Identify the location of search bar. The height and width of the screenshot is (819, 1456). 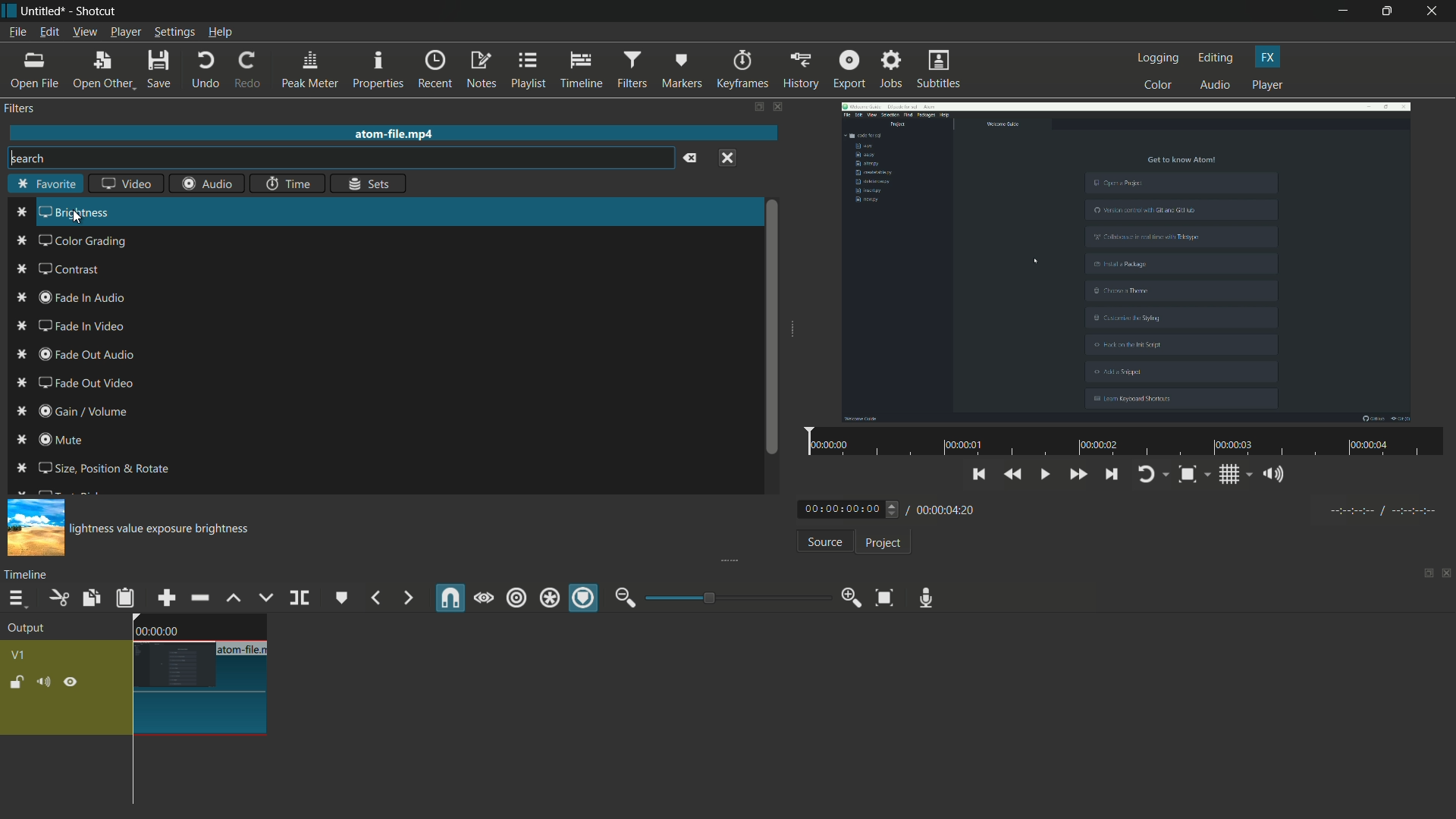
(338, 158).